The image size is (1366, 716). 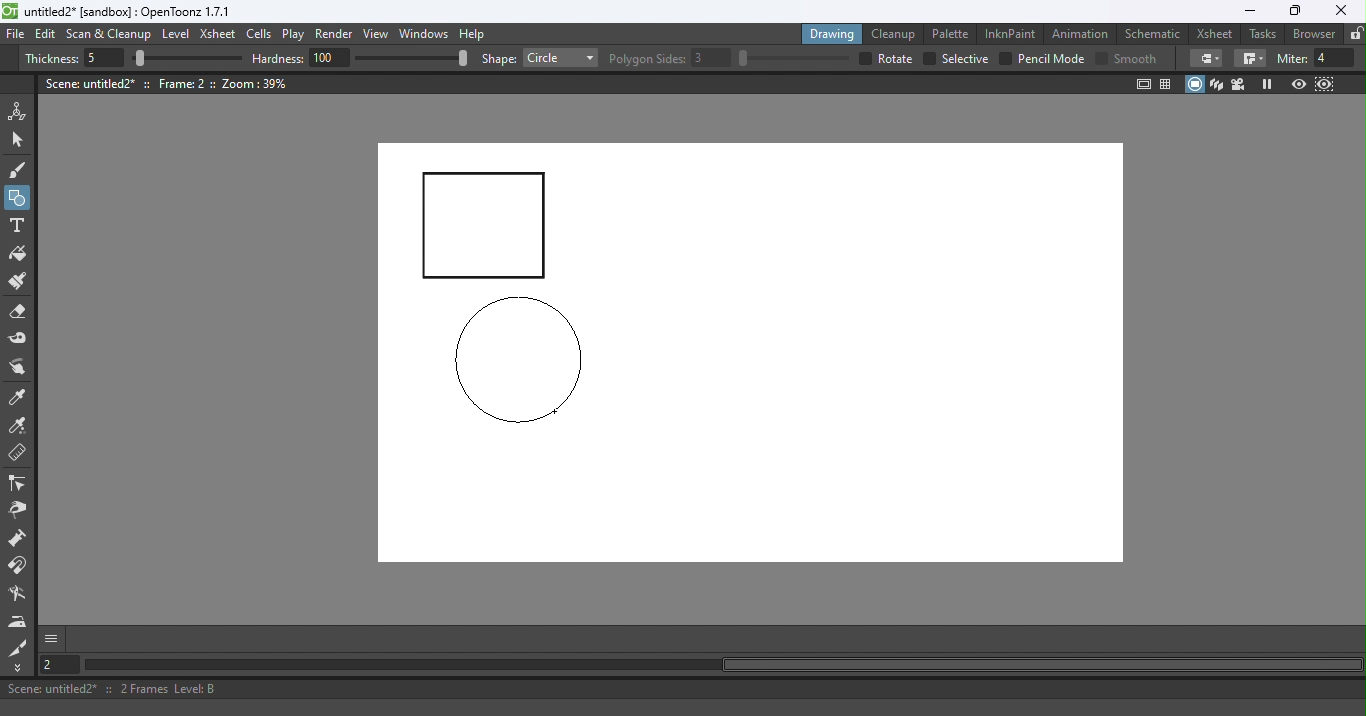 What do you see at coordinates (425, 35) in the screenshot?
I see `Windows` at bounding box center [425, 35].